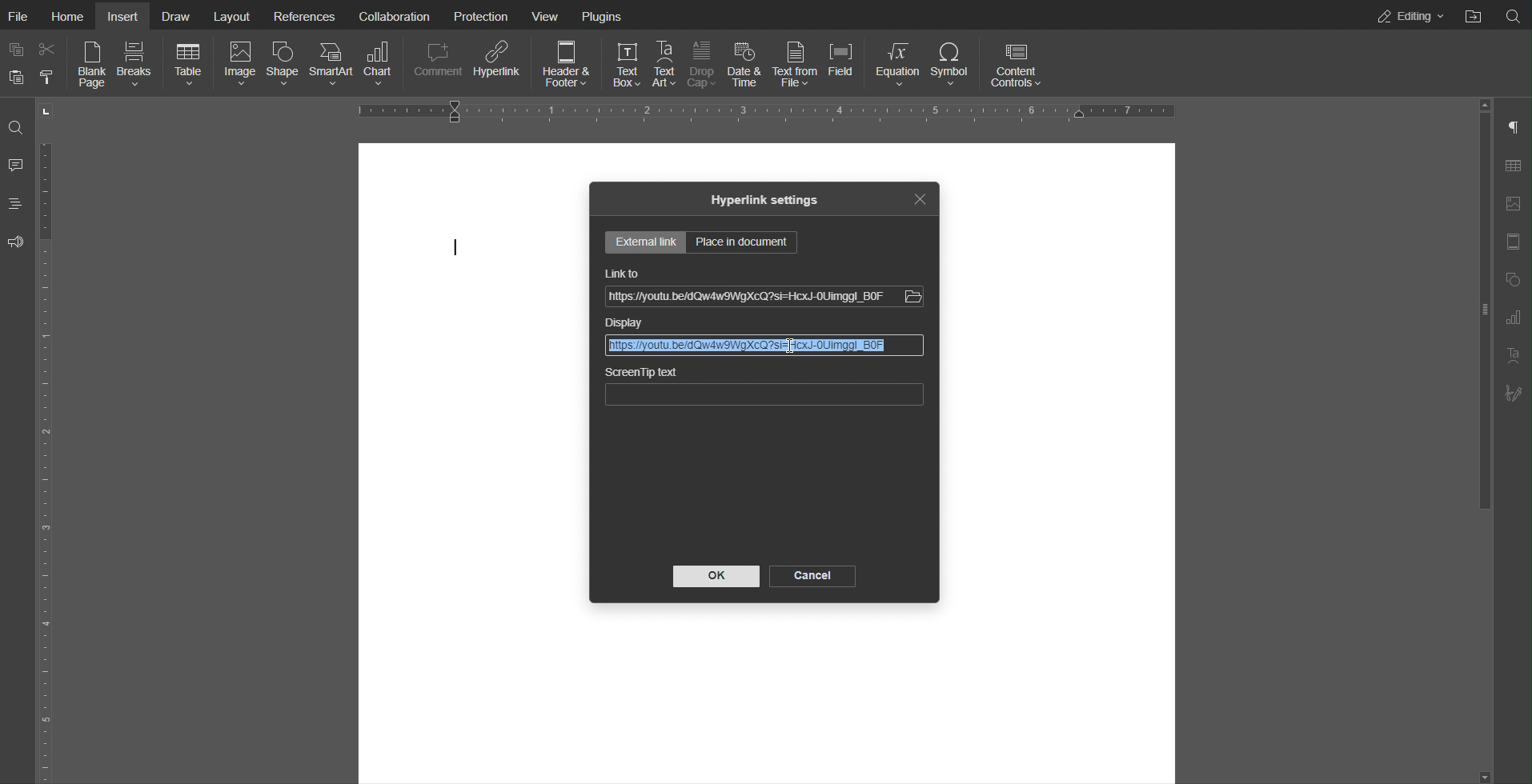 This screenshot has width=1532, height=784. Describe the element at coordinates (190, 65) in the screenshot. I see `Table` at that location.